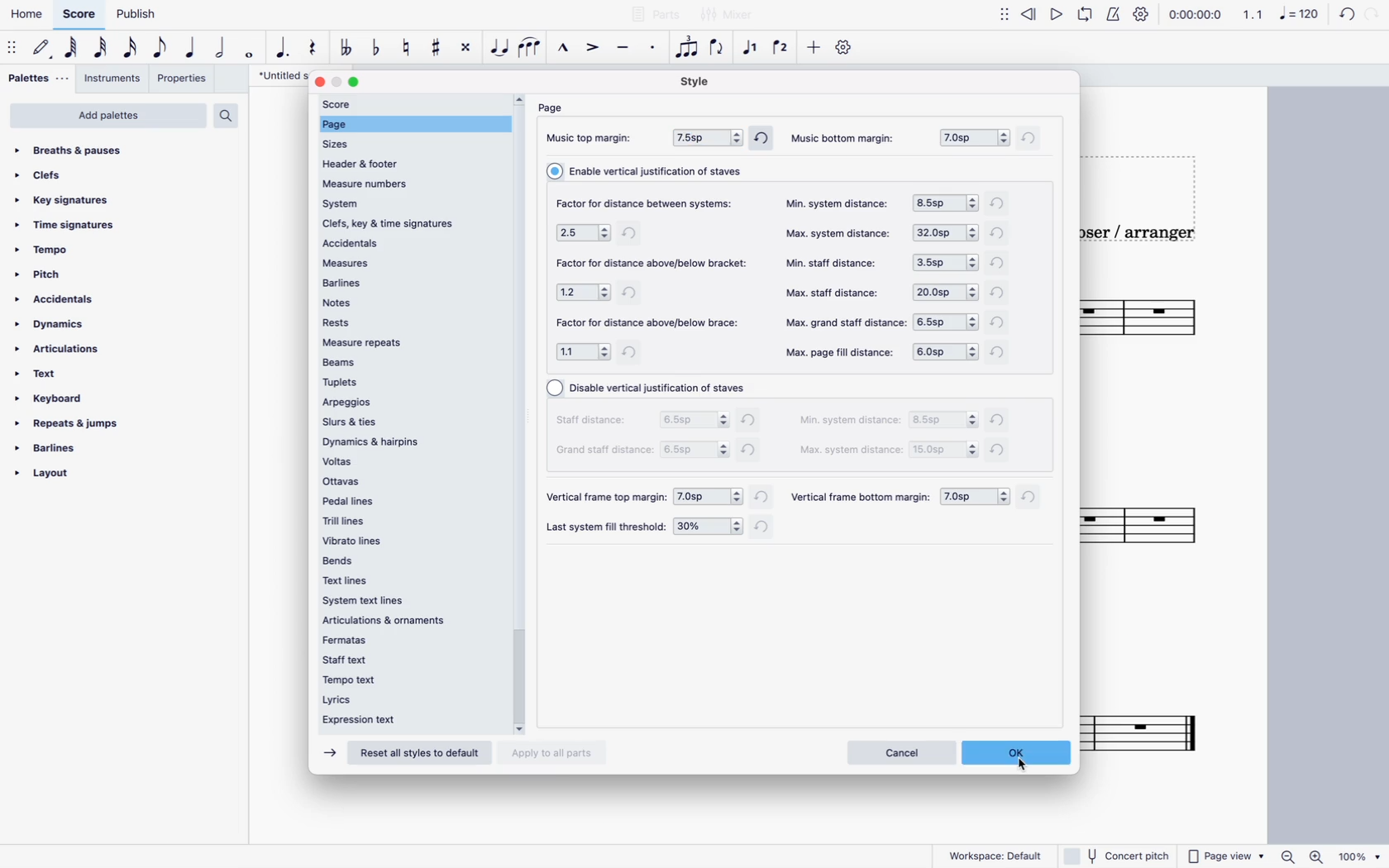 The width and height of the screenshot is (1389, 868). Describe the element at coordinates (70, 50) in the screenshot. I see `64th note` at that location.